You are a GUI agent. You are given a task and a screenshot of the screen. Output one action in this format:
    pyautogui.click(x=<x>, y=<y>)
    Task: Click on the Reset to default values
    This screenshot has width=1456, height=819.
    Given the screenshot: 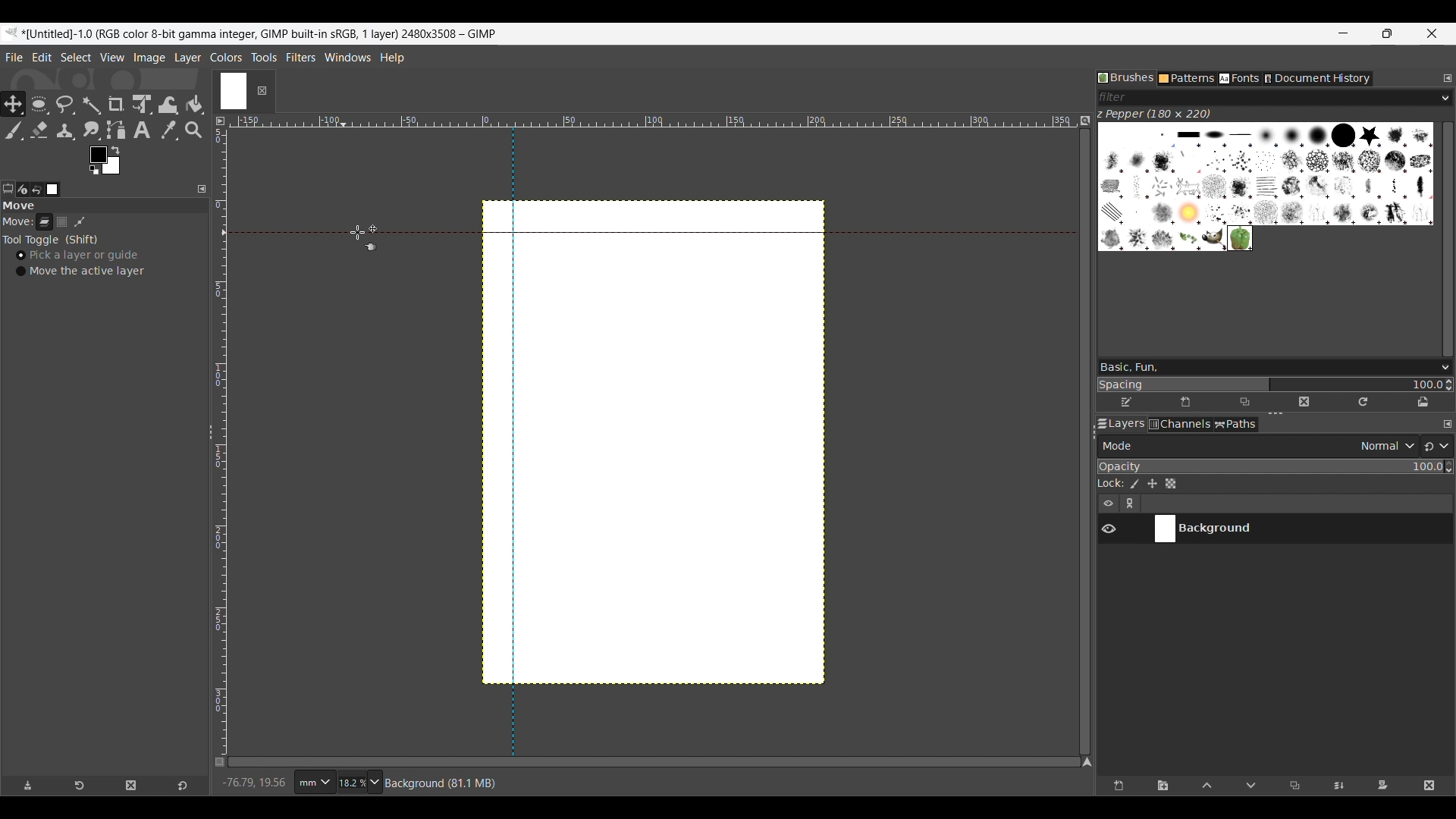 What is the action you would take?
    pyautogui.click(x=182, y=786)
    